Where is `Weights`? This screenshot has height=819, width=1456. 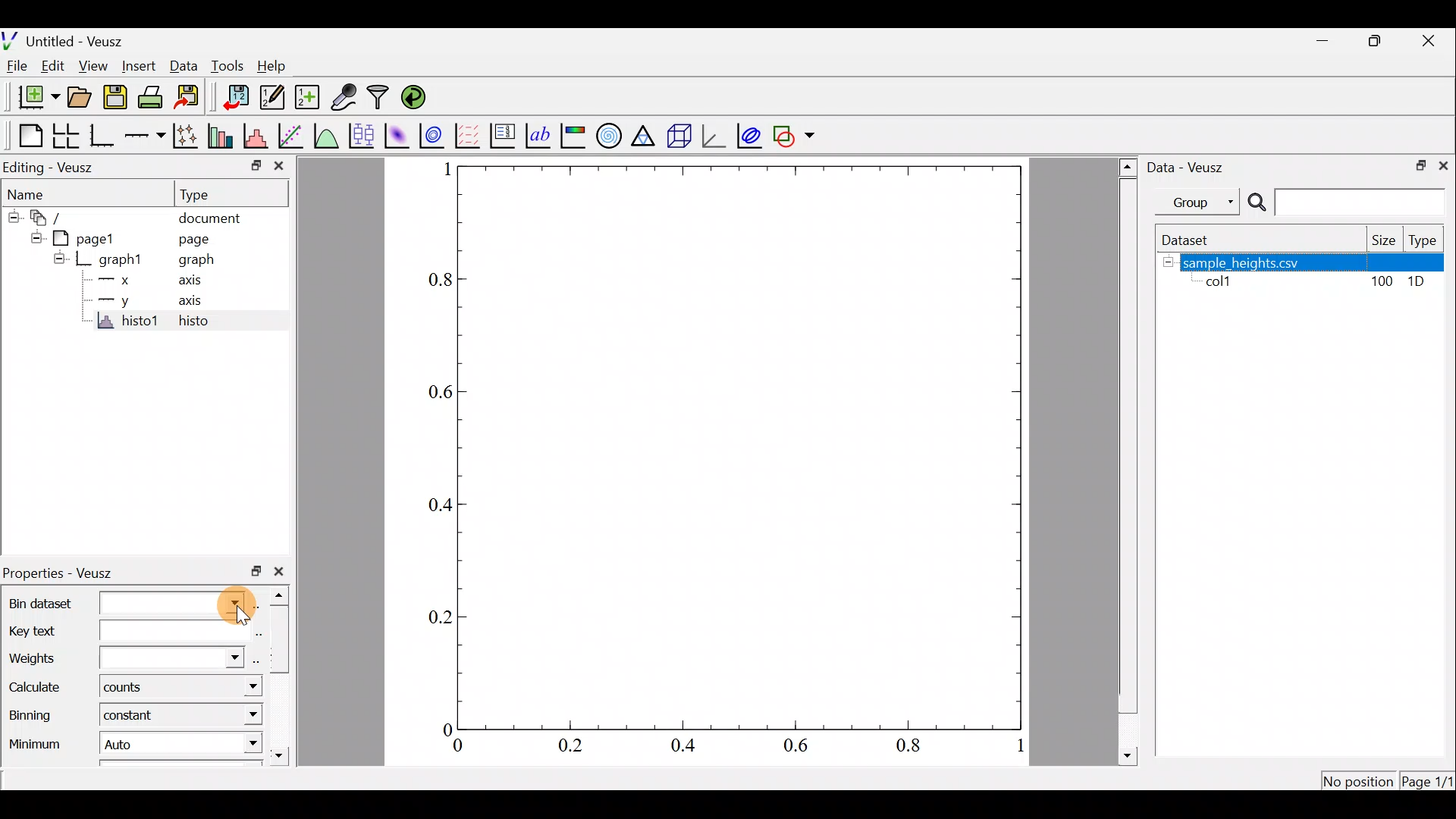 Weights is located at coordinates (123, 654).